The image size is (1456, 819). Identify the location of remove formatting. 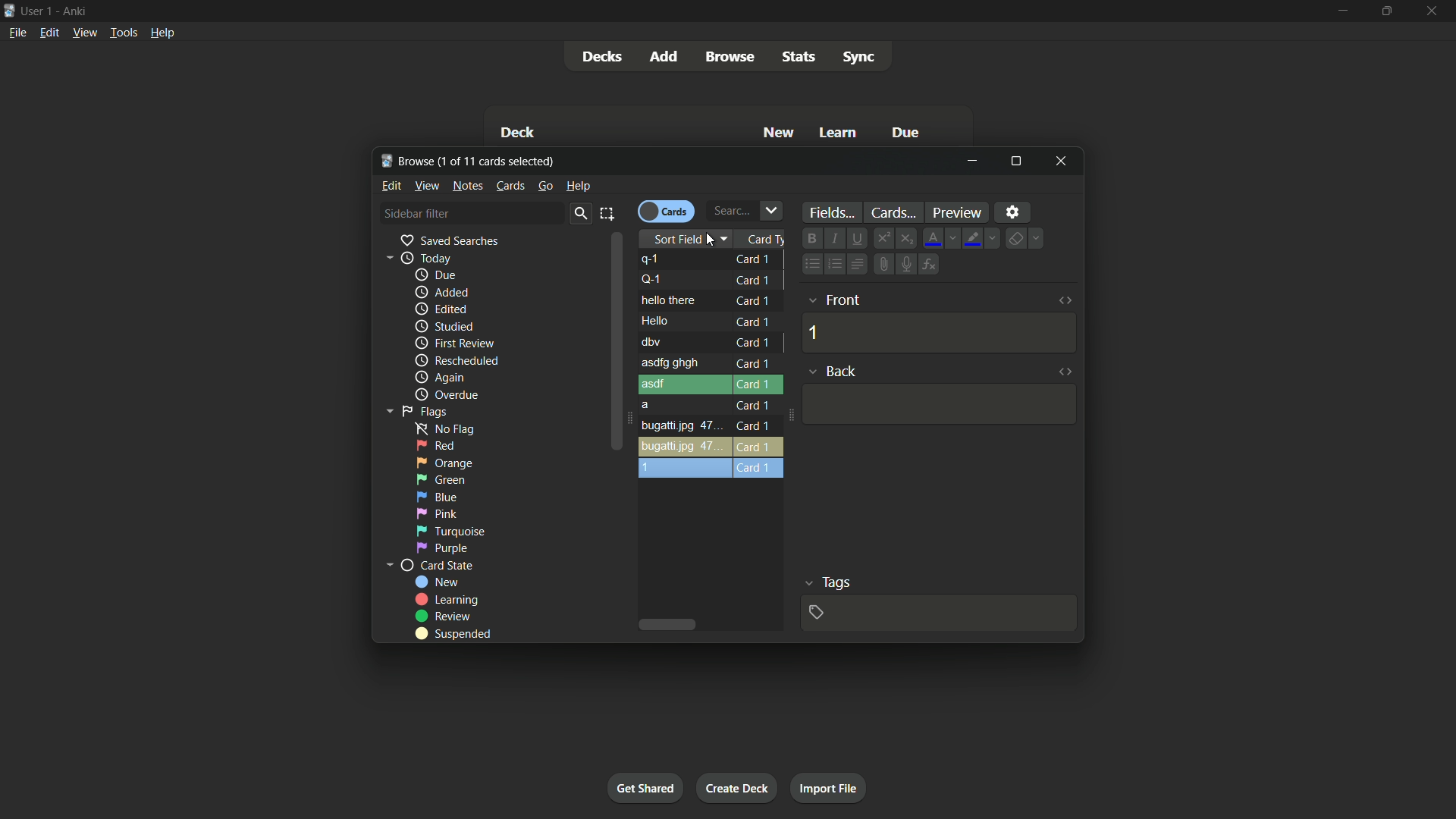
(1017, 239).